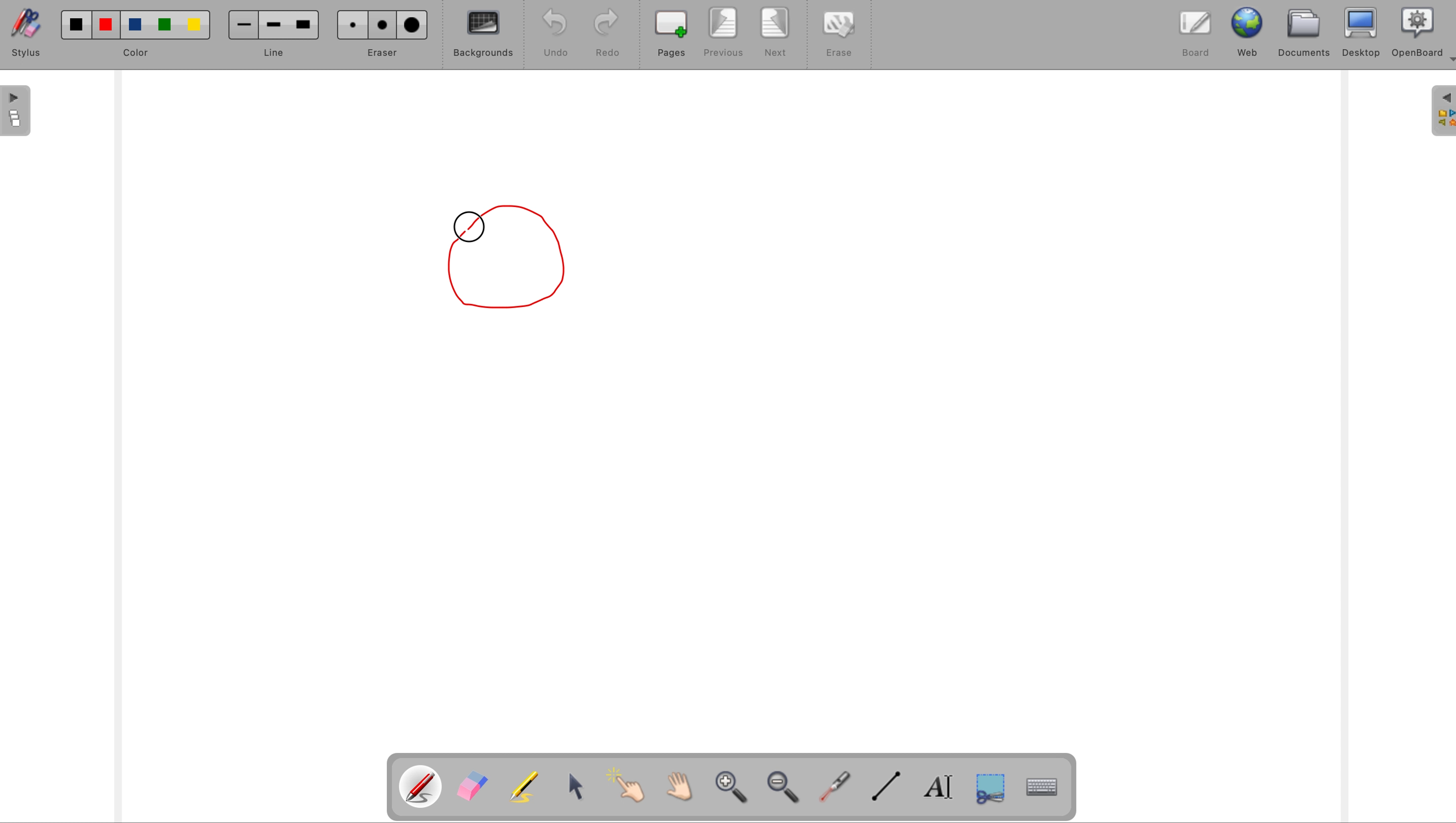 This screenshot has width=1456, height=823. I want to click on visual laser pointer, so click(836, 789).